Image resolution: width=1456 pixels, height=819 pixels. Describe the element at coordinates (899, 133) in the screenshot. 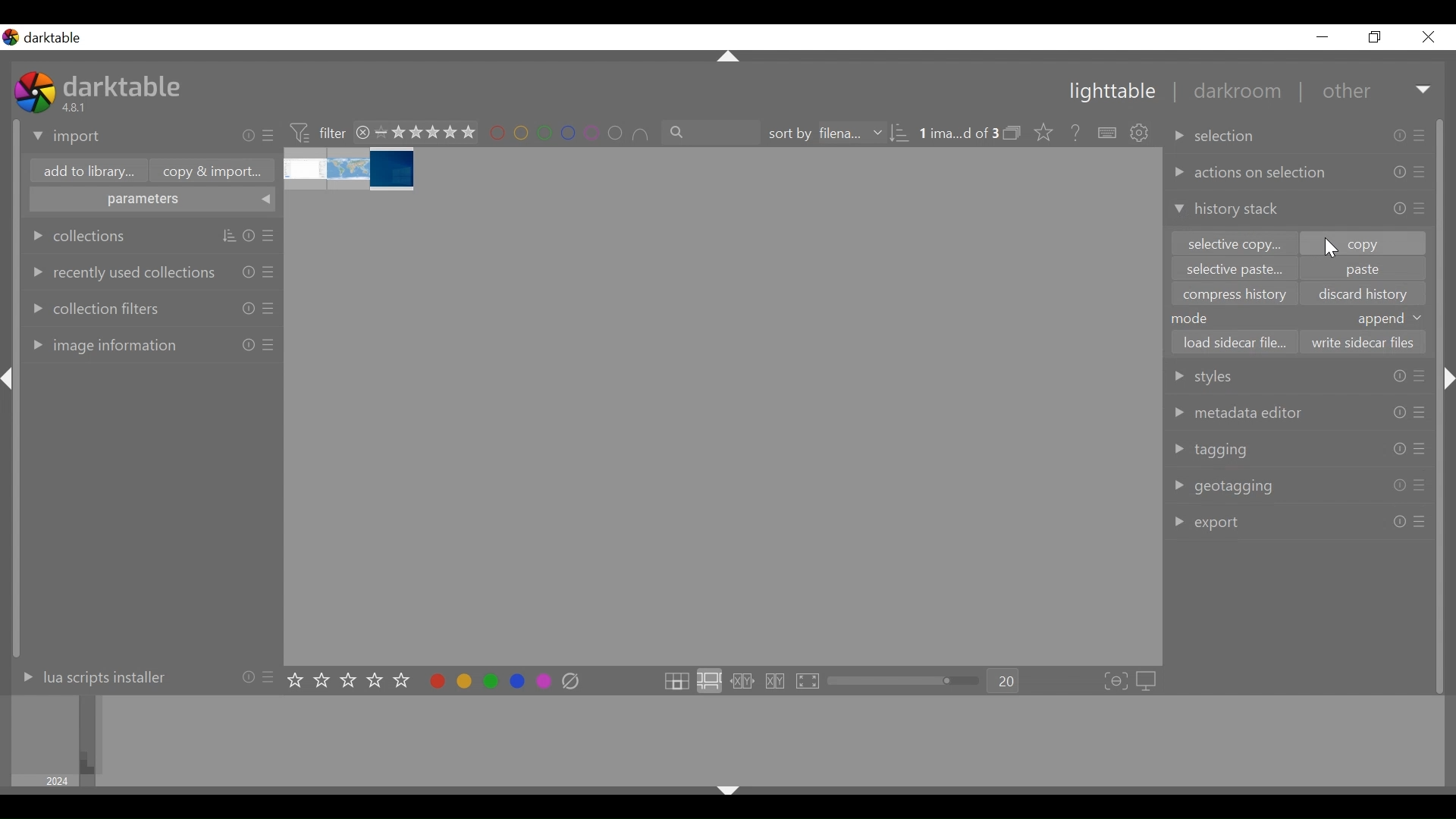

I see `sorting` at that location.